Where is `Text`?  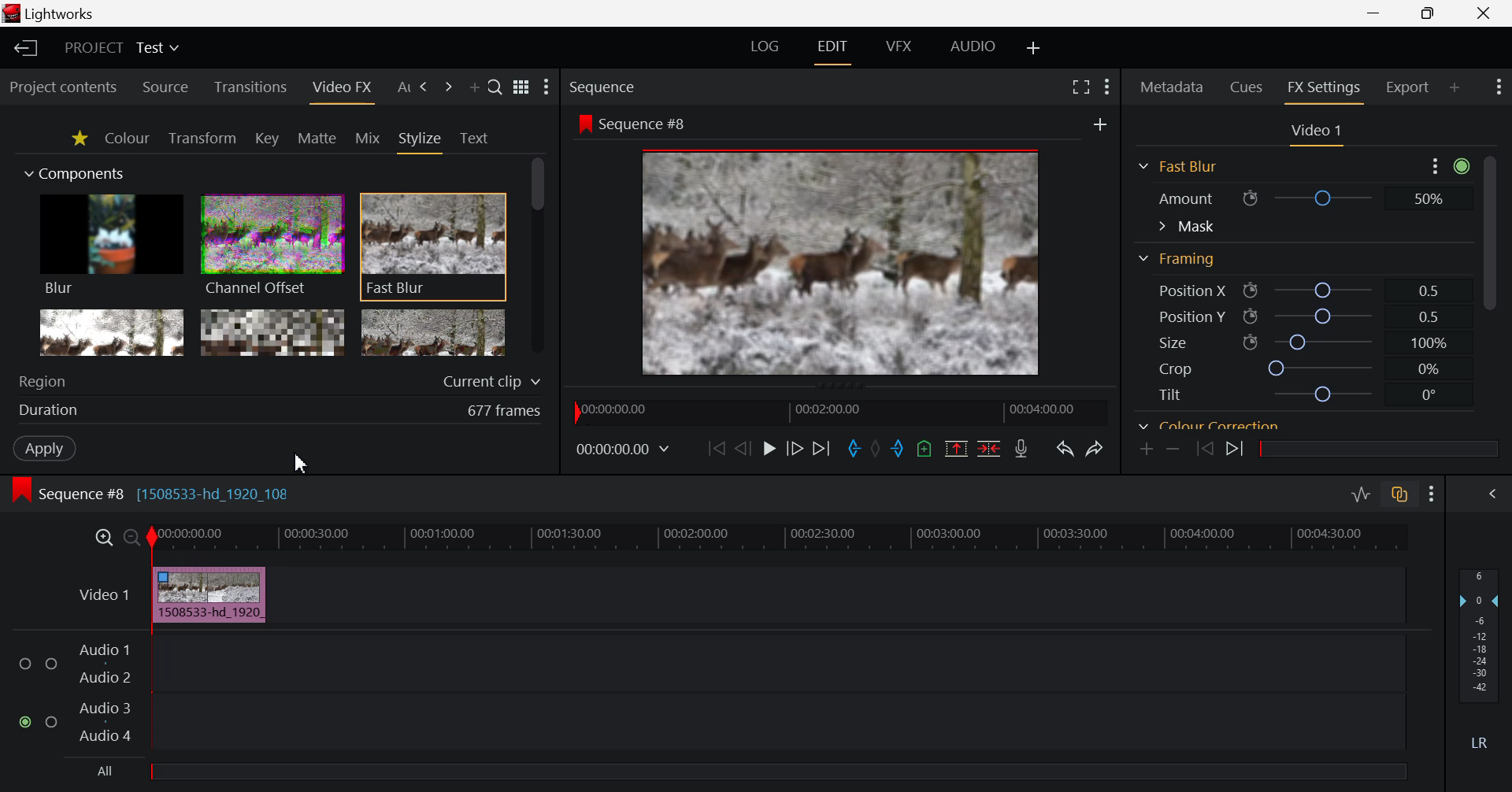 Text is located at coordinates (473, 138).